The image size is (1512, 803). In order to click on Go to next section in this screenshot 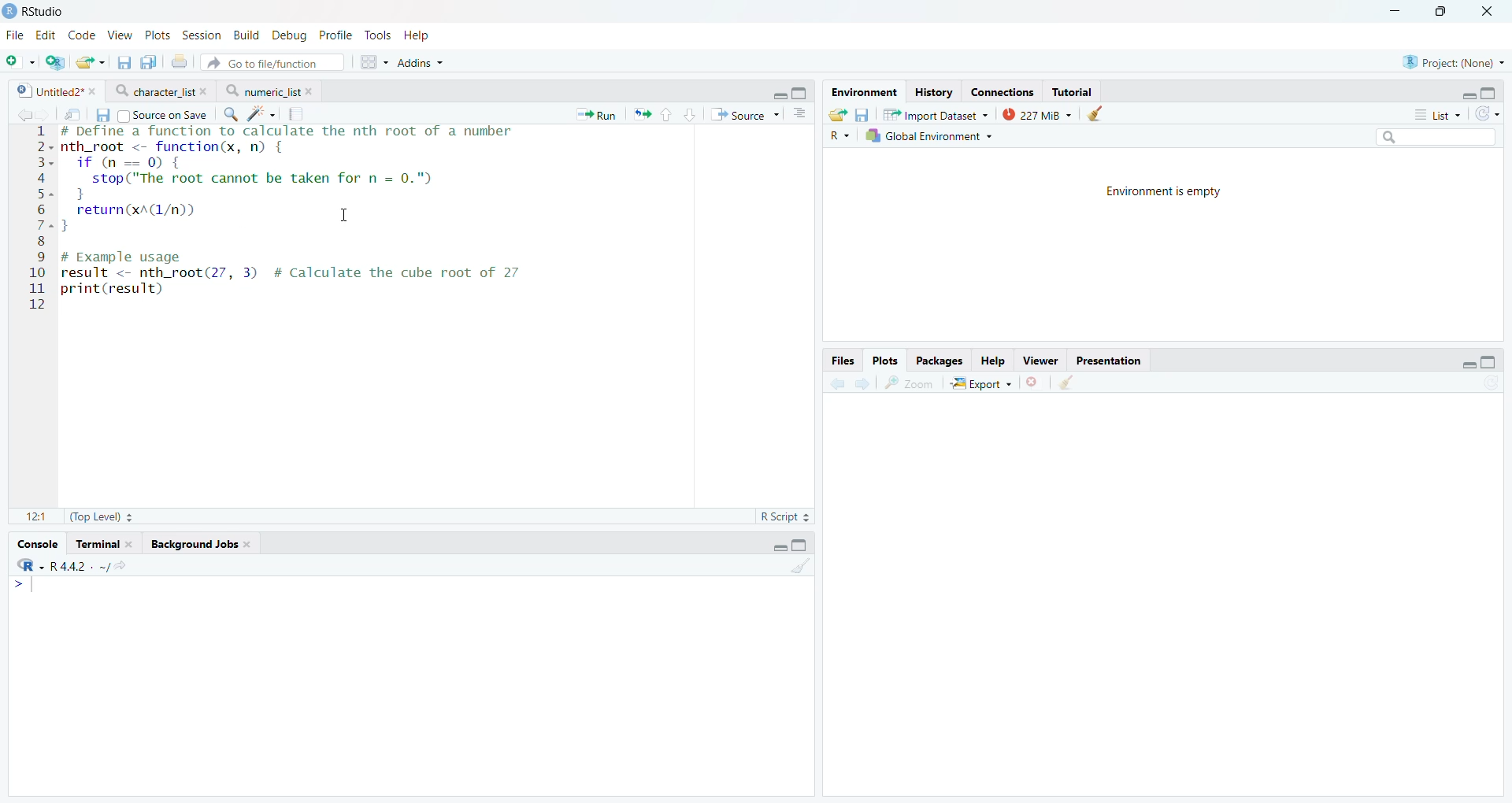, I will do `click(691, 113)`.